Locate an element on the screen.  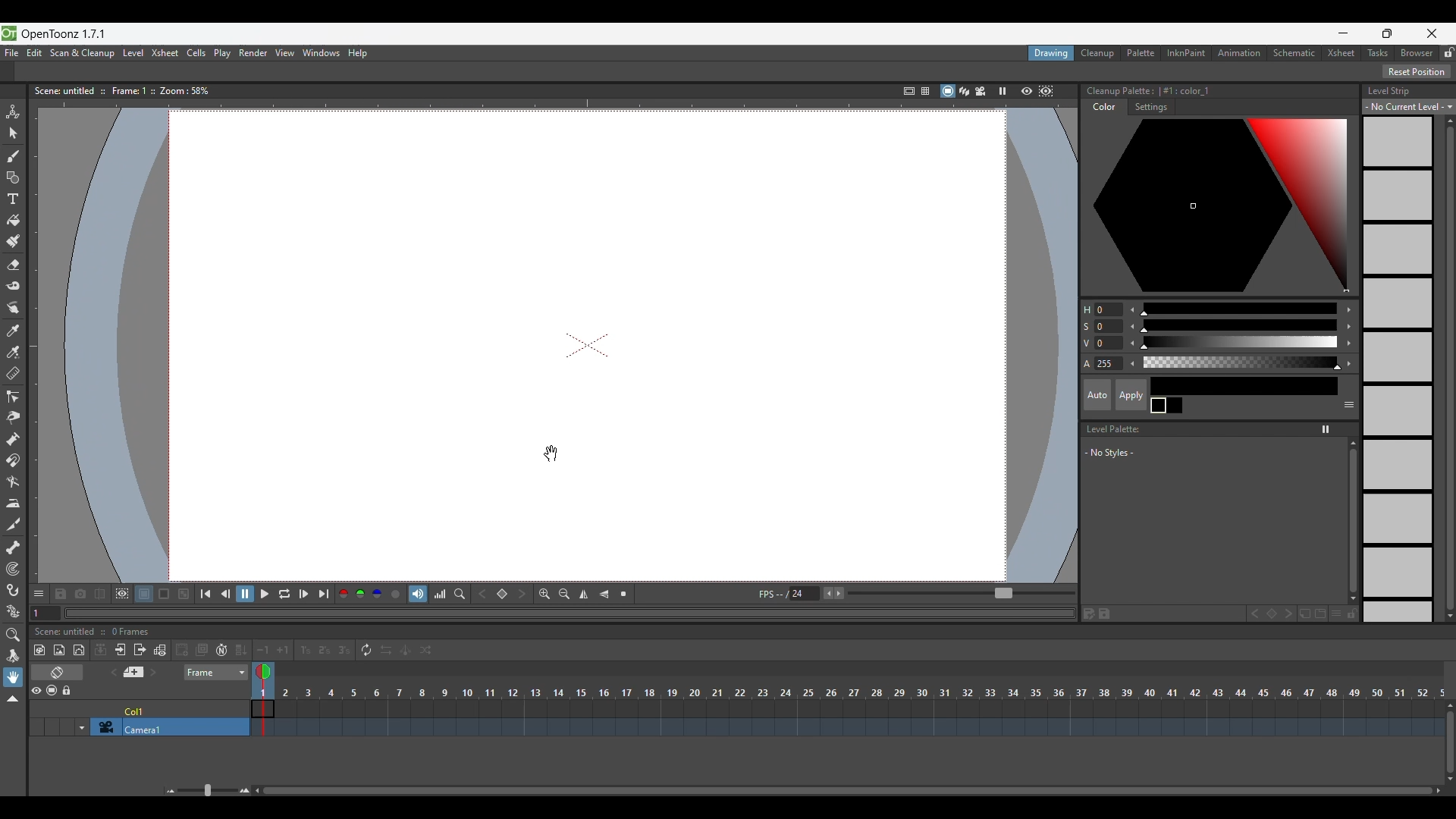
Double click to toggle onion skin is located at coordinates (264, 672).